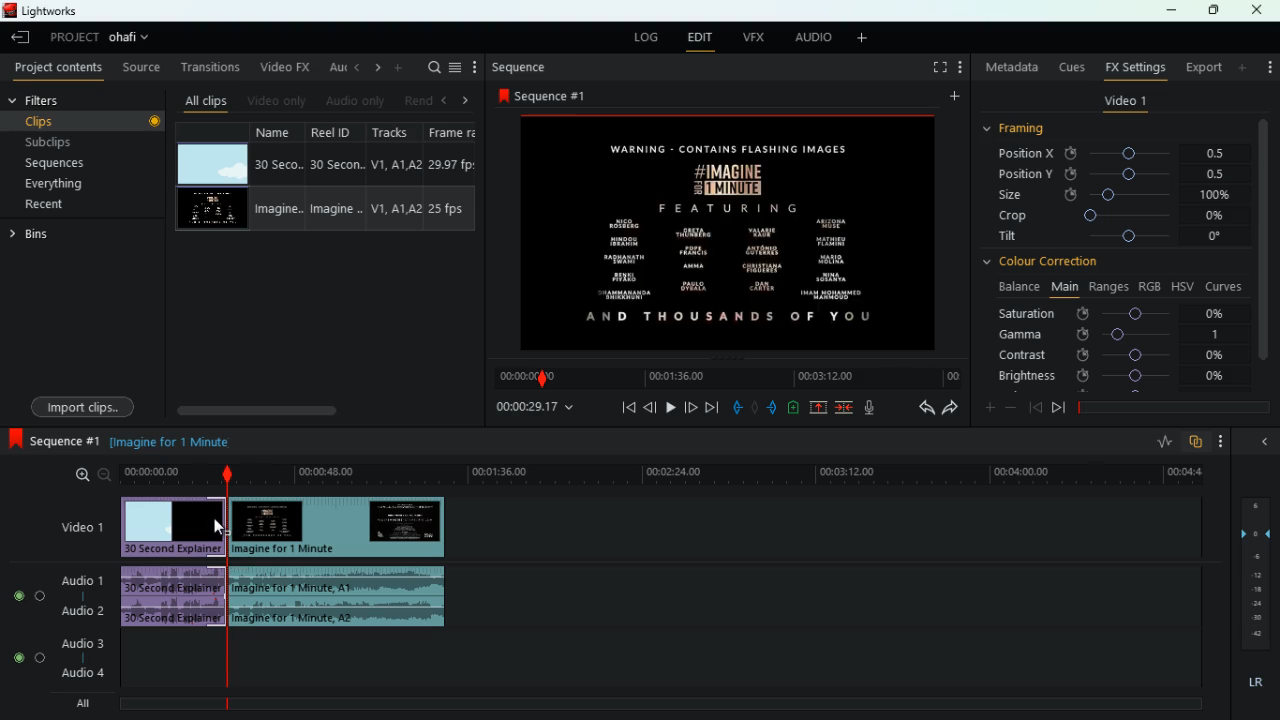  Describe the element at coordinates (74, 37) in the screenshot. I see `project` at that location.